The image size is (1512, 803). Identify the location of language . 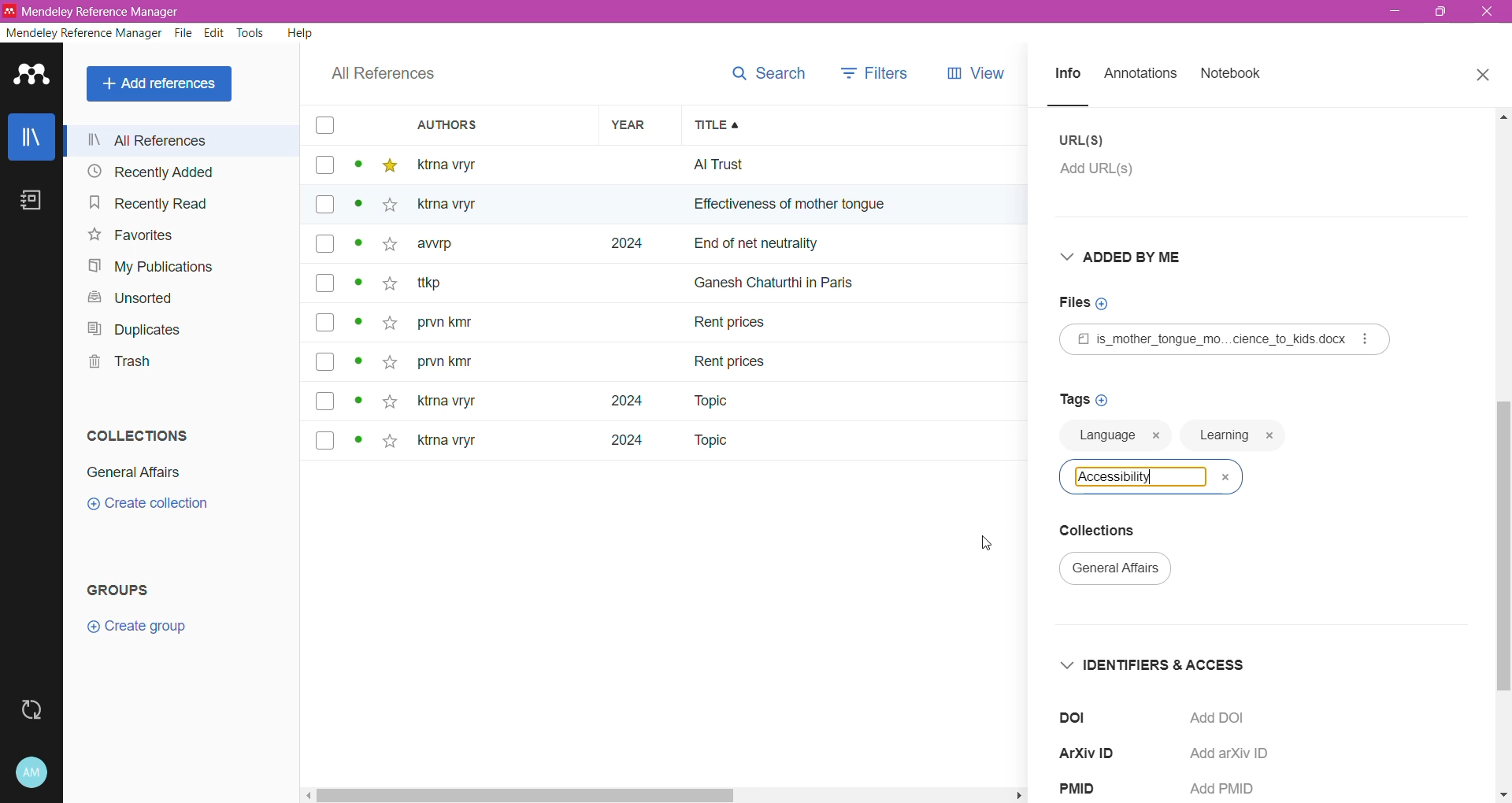
(1104, 441).